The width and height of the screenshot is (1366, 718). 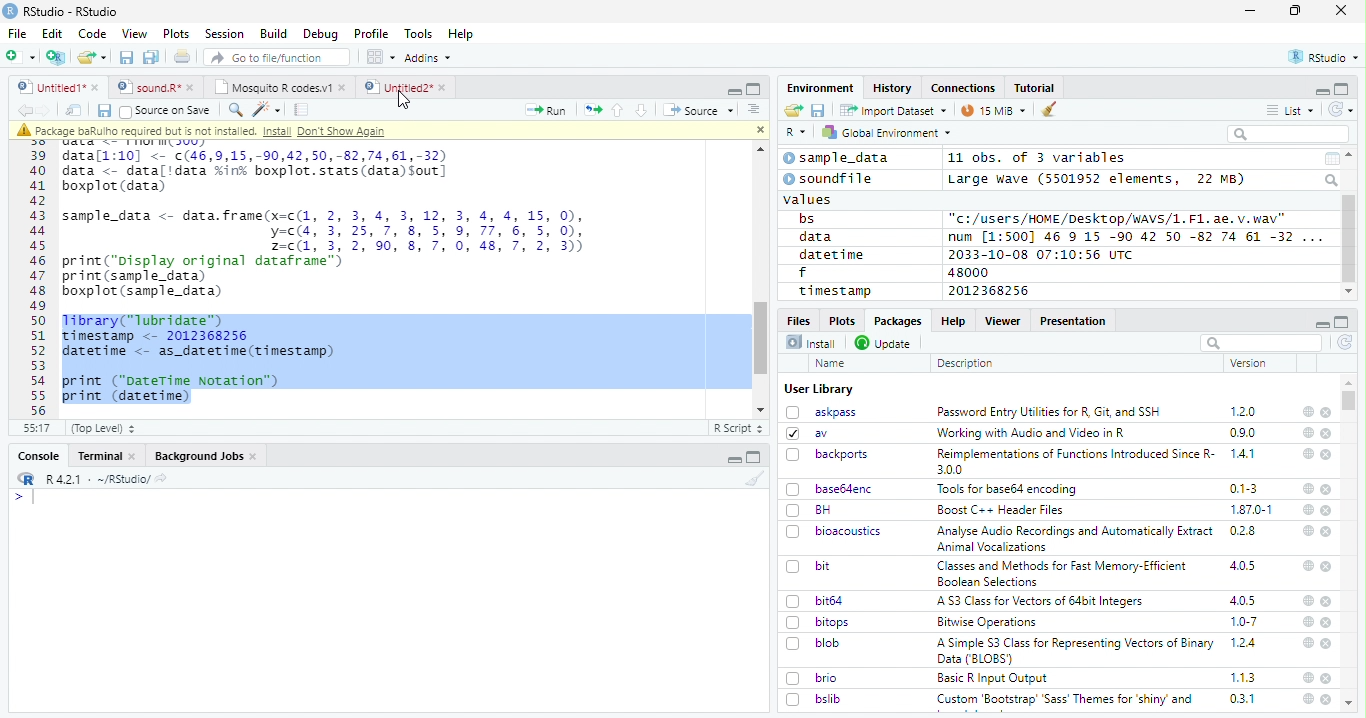 I want to click on RStudio, so click(x=1325, y=58).